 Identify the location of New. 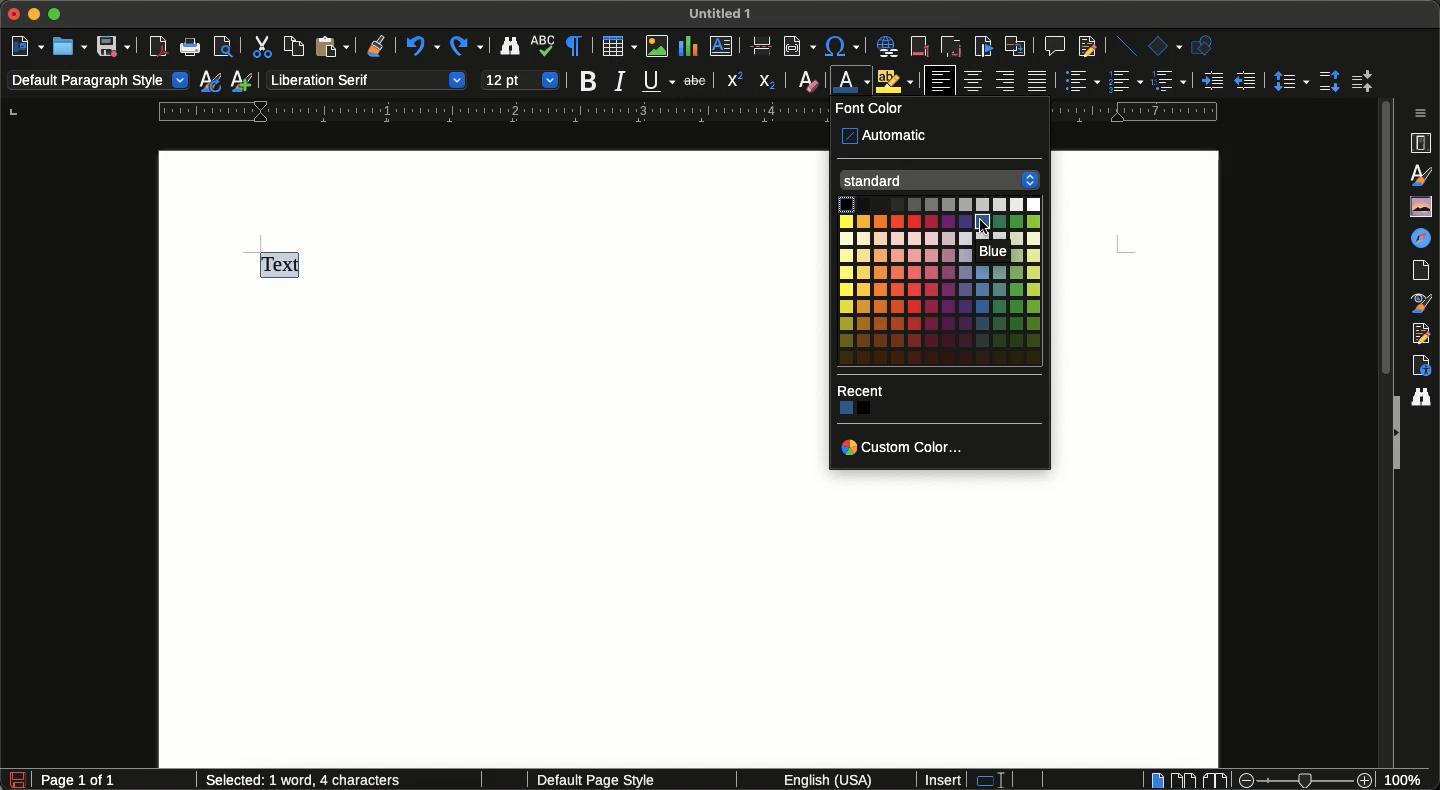
(27, 44).